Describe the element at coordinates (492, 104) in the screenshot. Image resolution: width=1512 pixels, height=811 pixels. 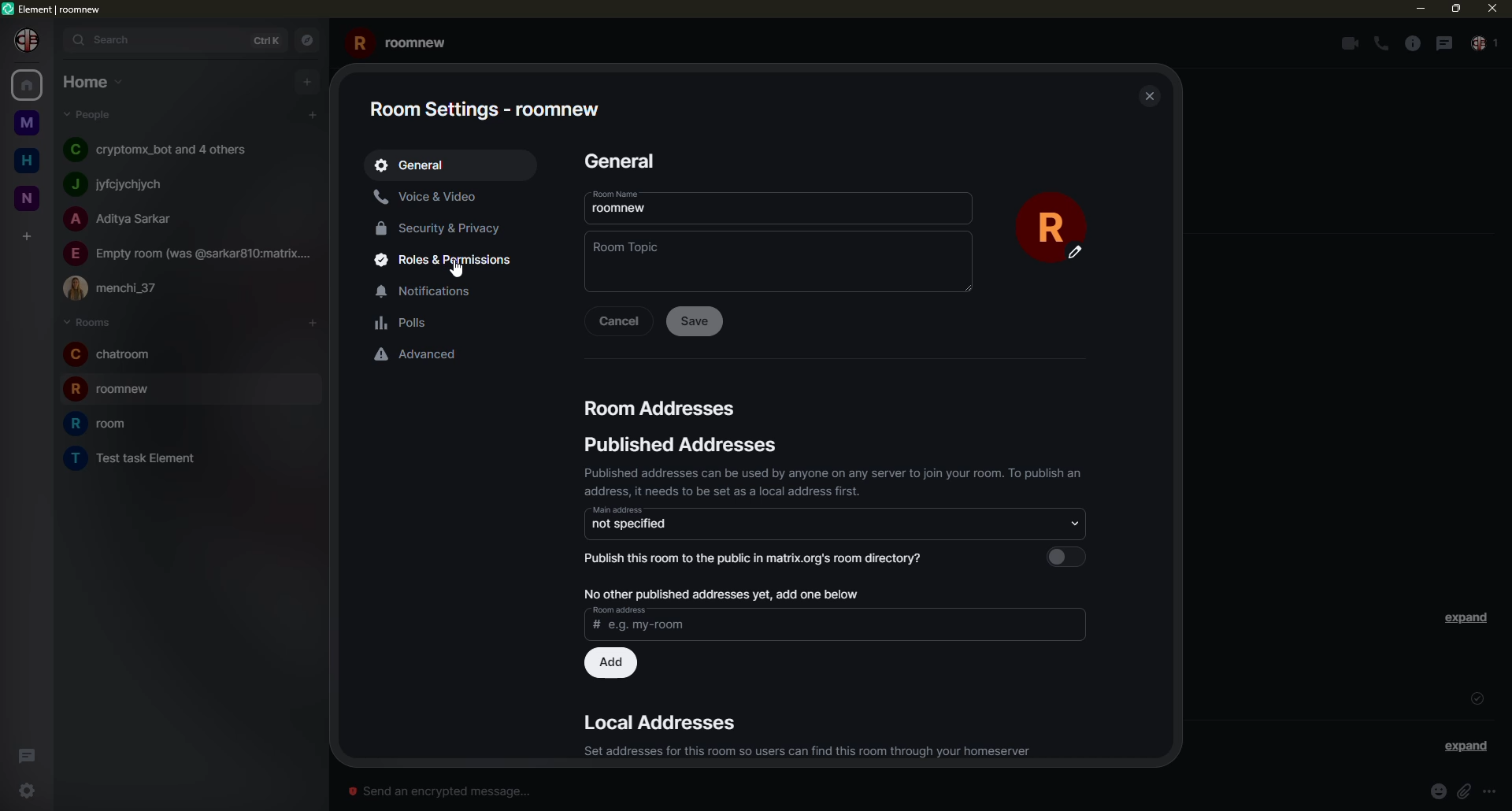
I see `room settings` at that location.